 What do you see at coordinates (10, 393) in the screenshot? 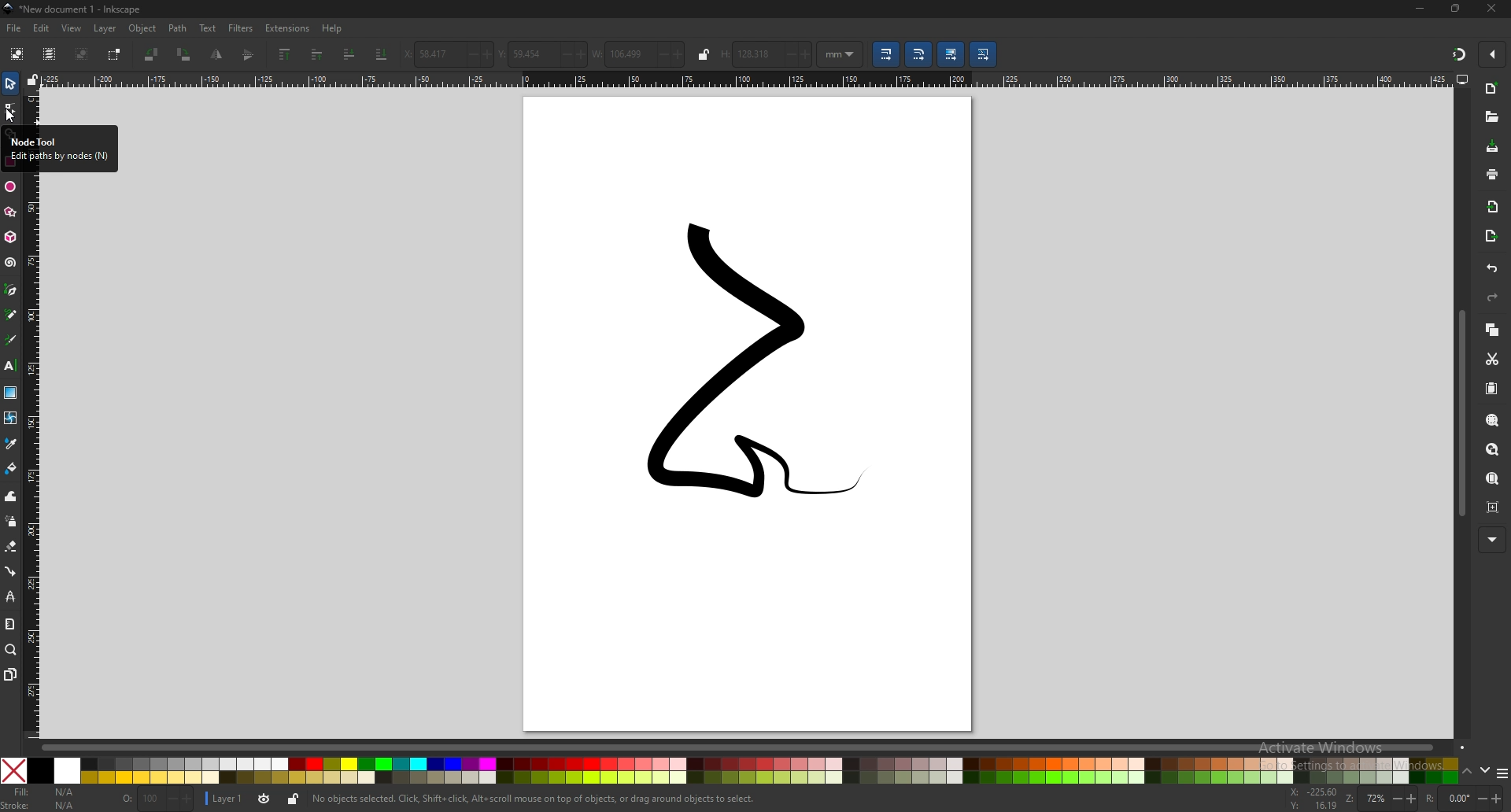
I see `gradient` at bounding box center [10, 393].